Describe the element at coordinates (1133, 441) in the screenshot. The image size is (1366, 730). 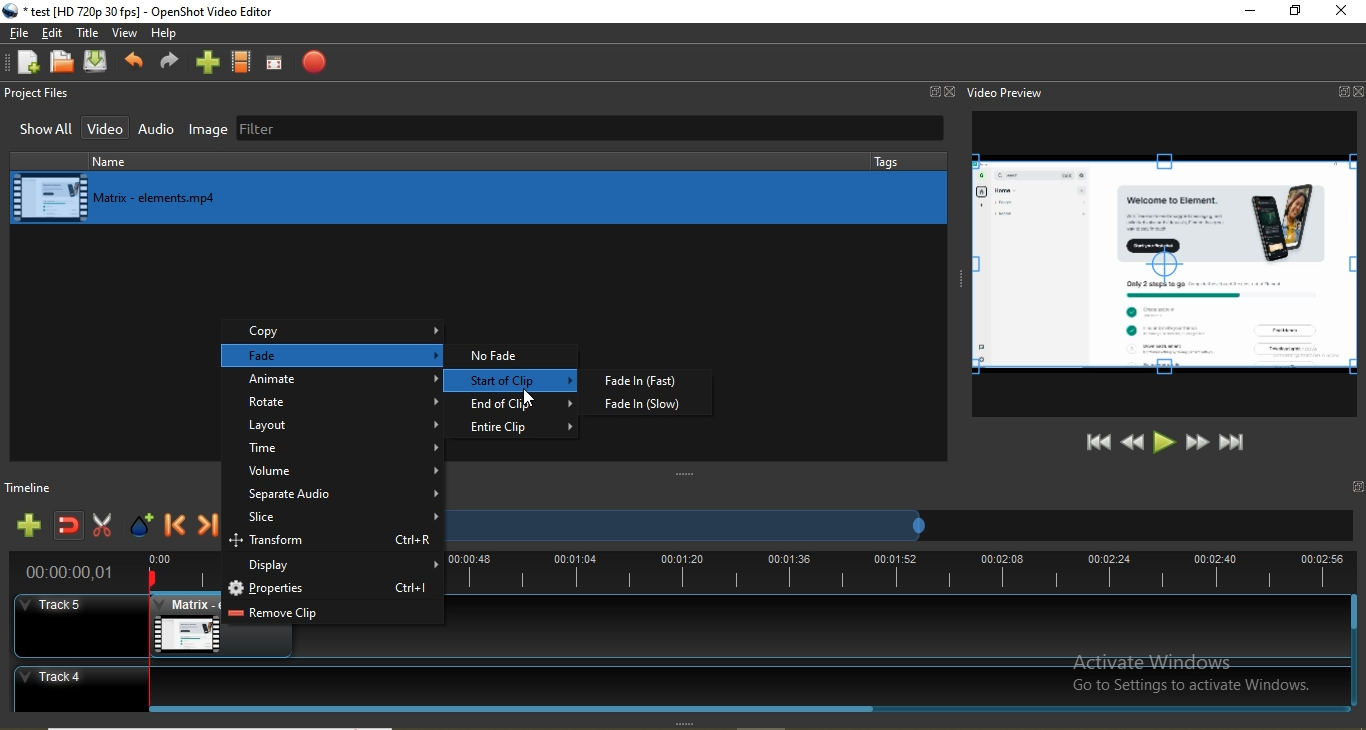
I see `Rewind ` at that location.